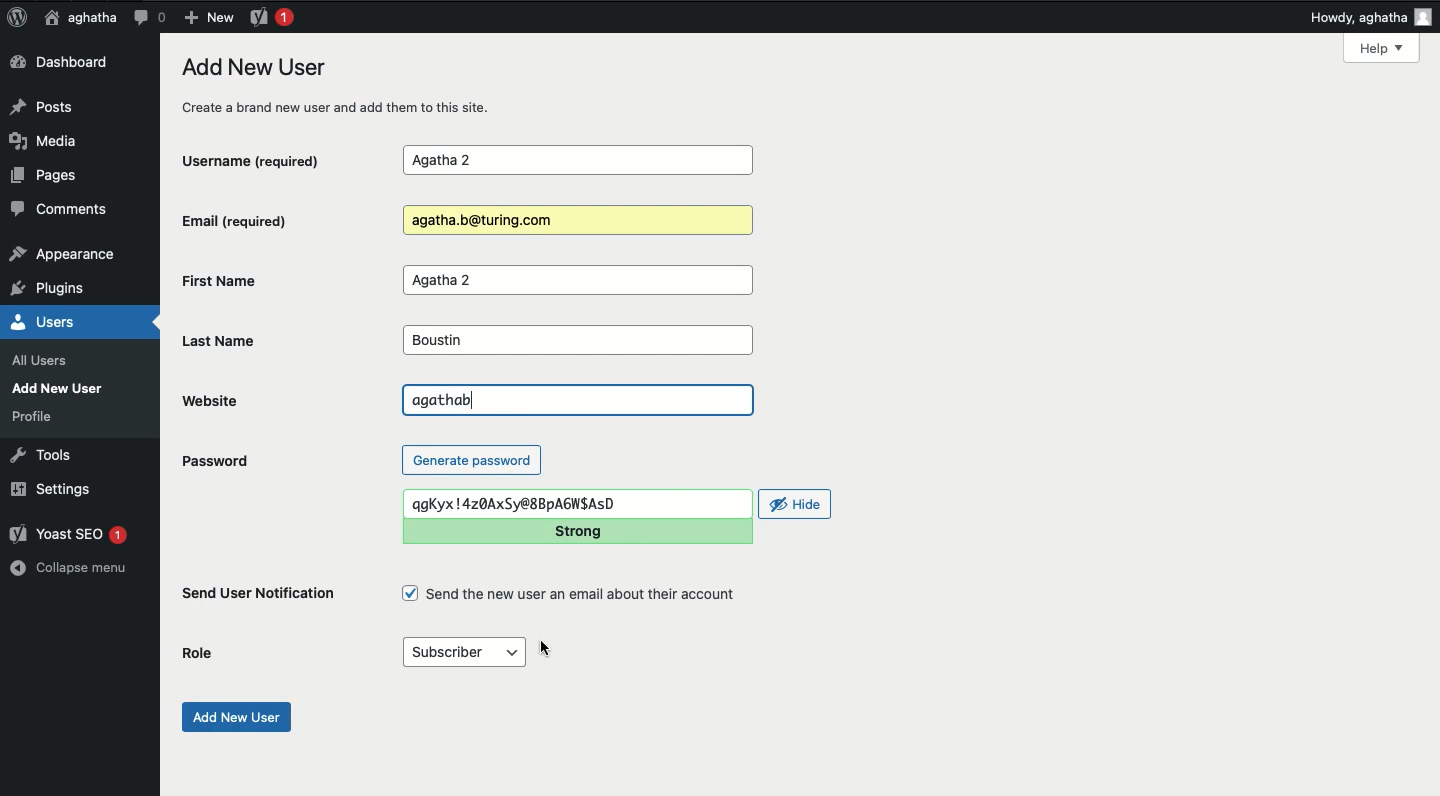 This screenshot has height=796, width=1440. Describe the element at coordinates (47, 105) in the screenshot. I see `Posts` at that location.